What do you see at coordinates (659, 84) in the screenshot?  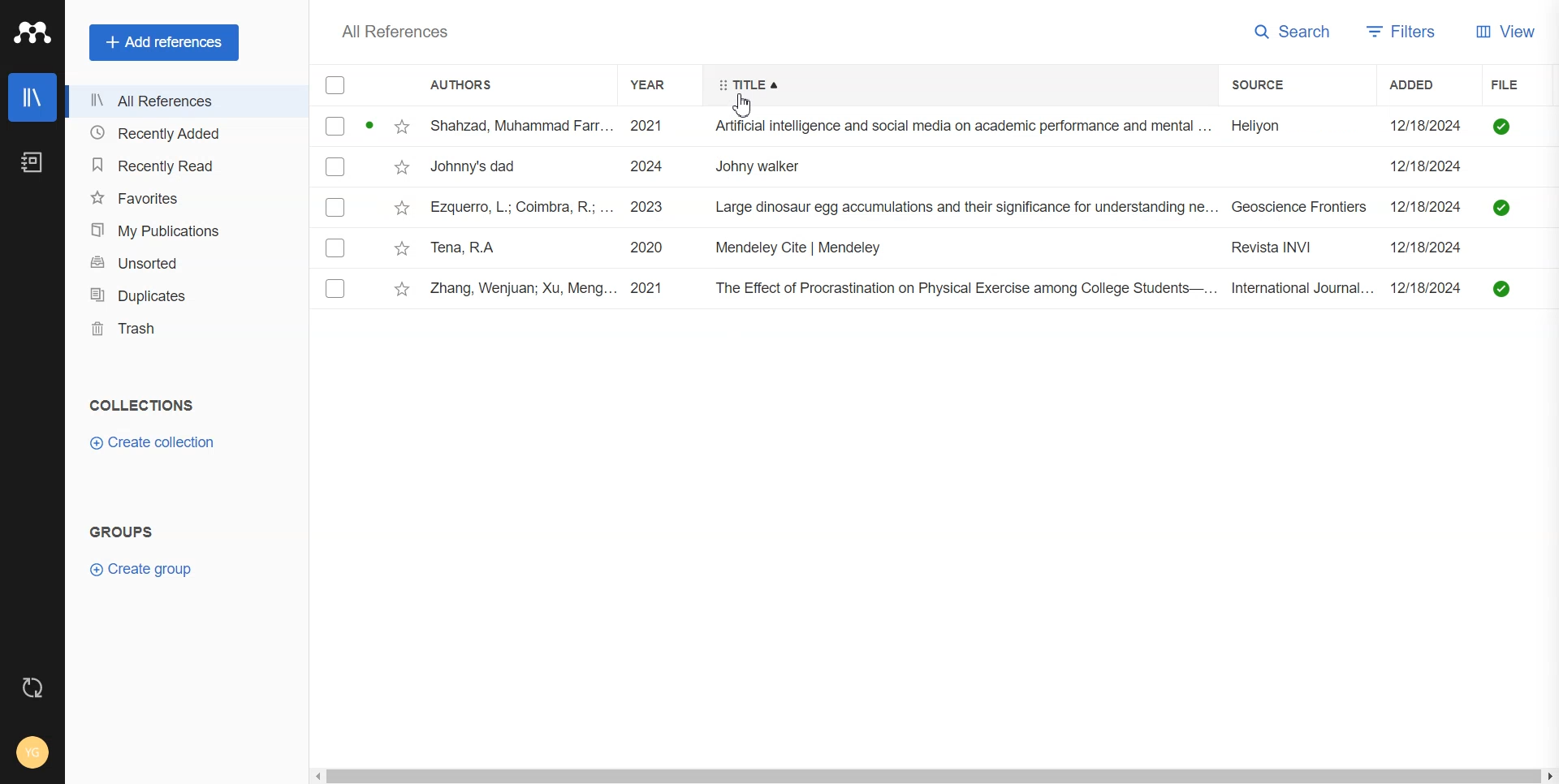 I see `Year` at bounding box center [659, 84].